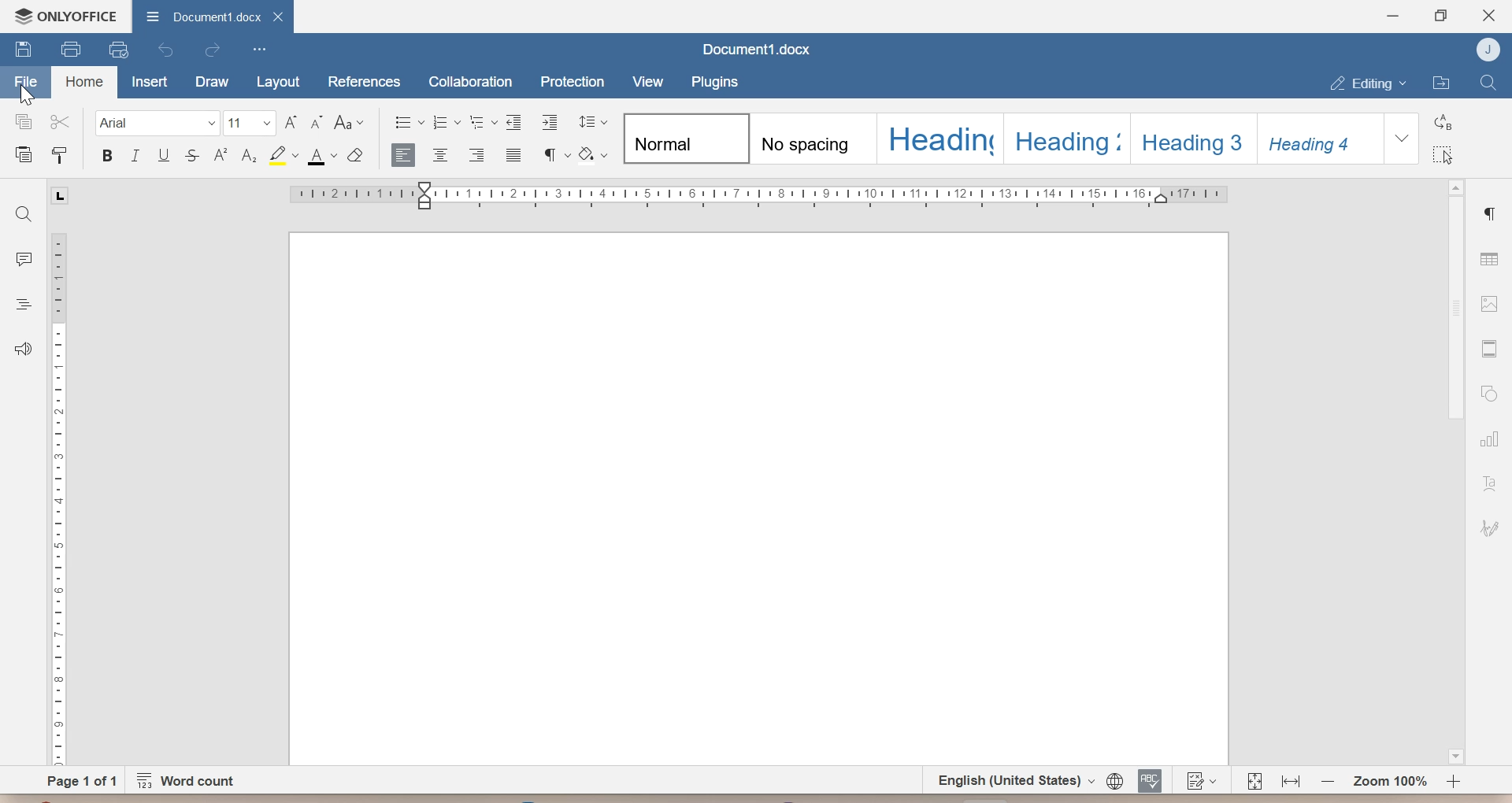 This screenshot has width=1512, height=803. What do you see at coordinates (1455, 756) in the screenshot?
I see `Scroll down` at bounding box center [1455, 756].